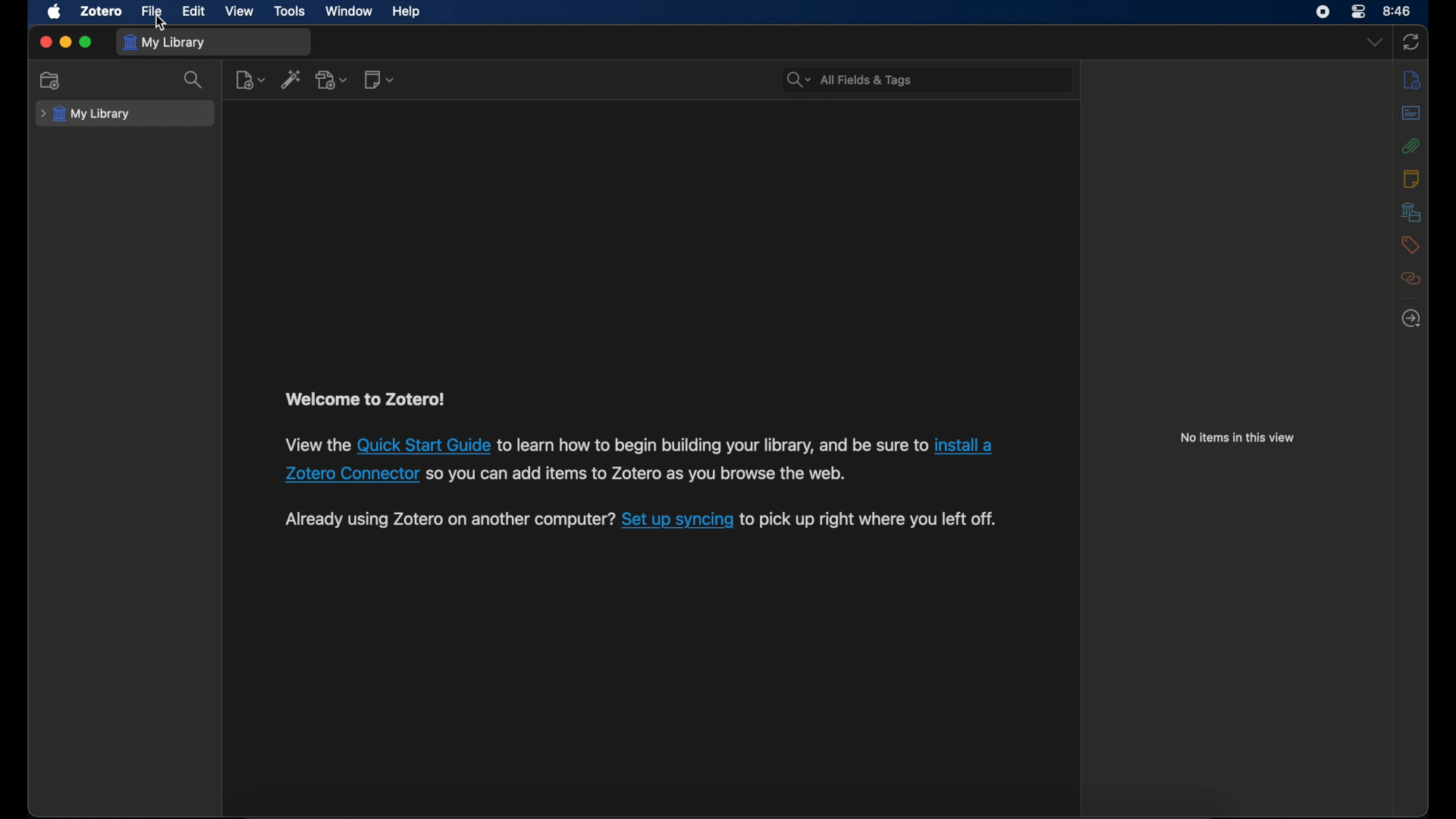  What do you see at coordinates (290, 11) in the screenshot?
I see `tools` at bounding box center [290, 11].